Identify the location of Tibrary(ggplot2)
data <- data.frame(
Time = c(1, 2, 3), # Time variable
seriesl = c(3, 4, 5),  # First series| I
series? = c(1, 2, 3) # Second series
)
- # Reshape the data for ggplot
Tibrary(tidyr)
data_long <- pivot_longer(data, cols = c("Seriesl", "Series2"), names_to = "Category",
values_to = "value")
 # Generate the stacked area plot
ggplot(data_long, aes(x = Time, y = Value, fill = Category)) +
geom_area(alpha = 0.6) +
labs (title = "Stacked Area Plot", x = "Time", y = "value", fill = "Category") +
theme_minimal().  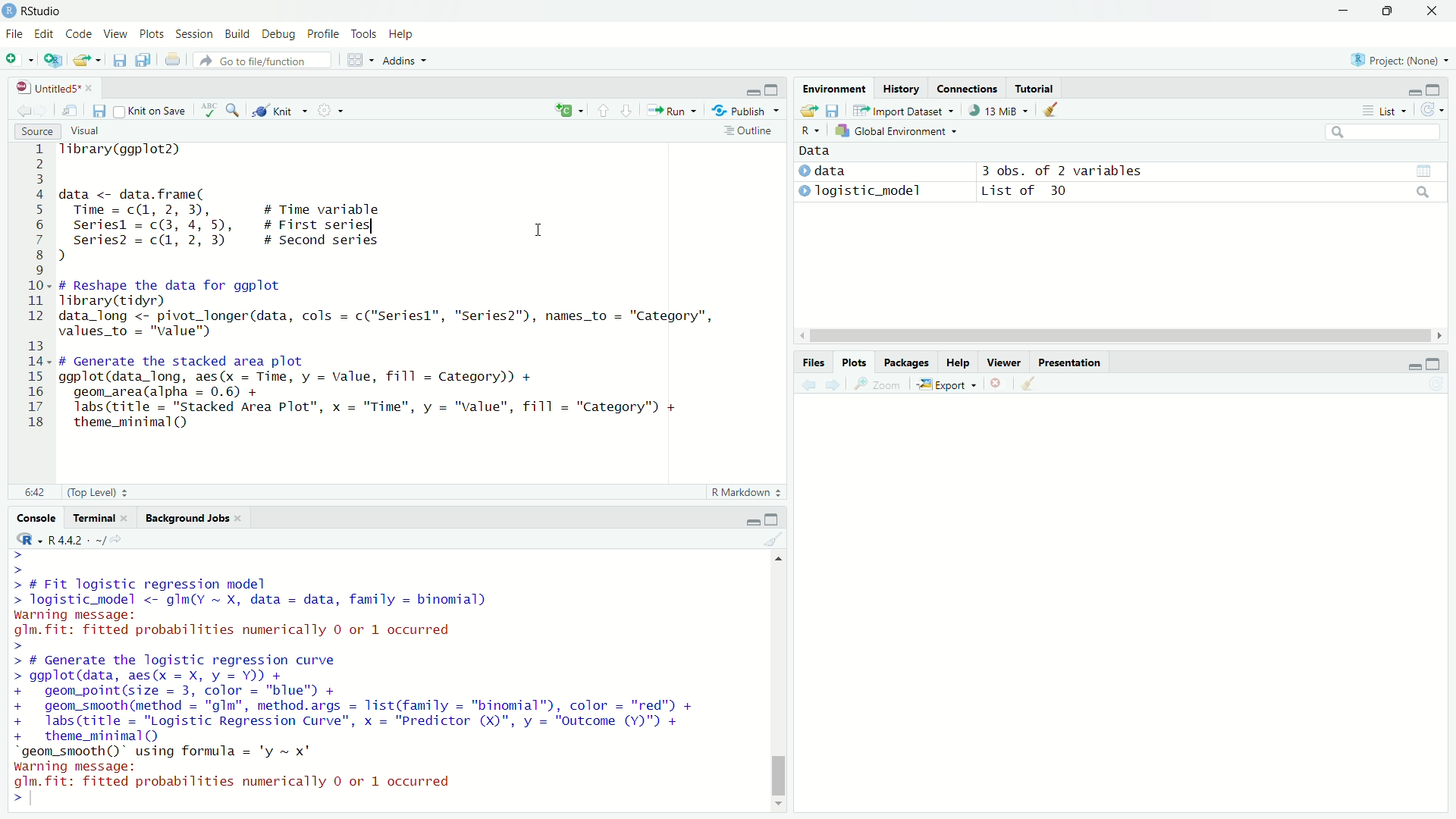
(426, 290).